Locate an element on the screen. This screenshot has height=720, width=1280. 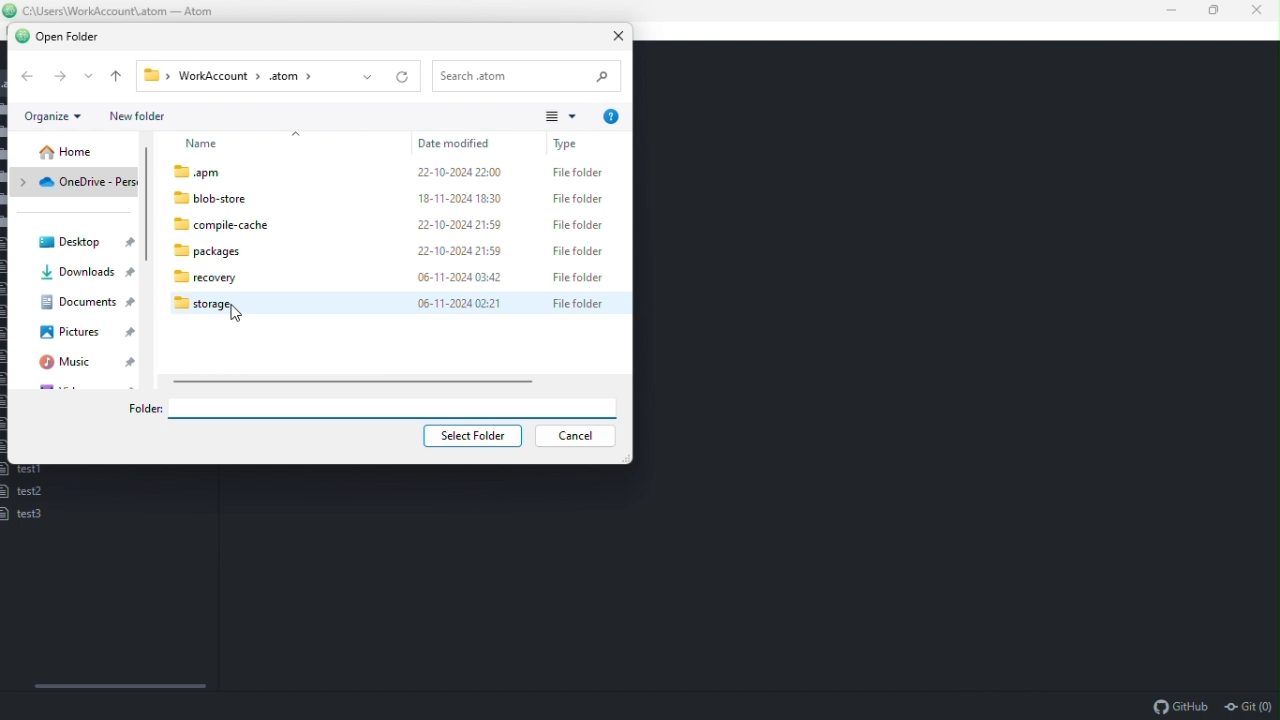
Open folder is located at coordinates (59, 38).